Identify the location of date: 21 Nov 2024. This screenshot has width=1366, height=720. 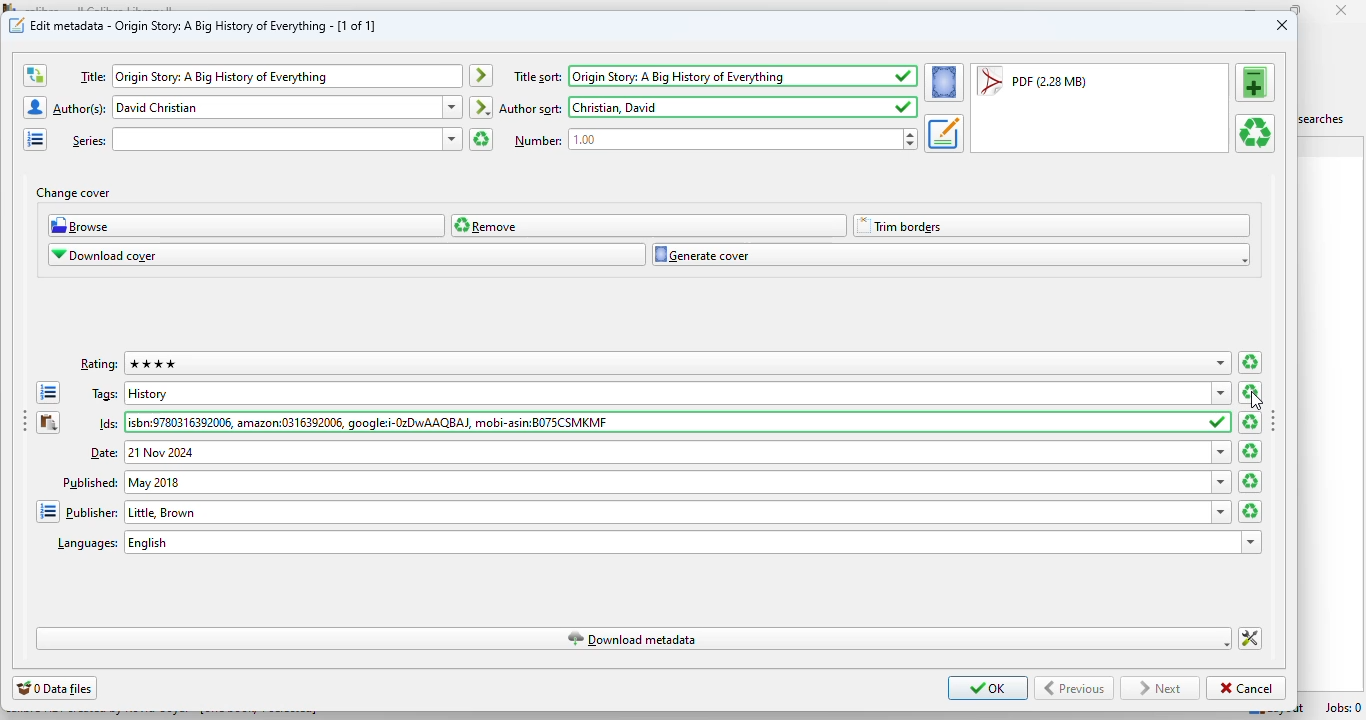
(666, 452).